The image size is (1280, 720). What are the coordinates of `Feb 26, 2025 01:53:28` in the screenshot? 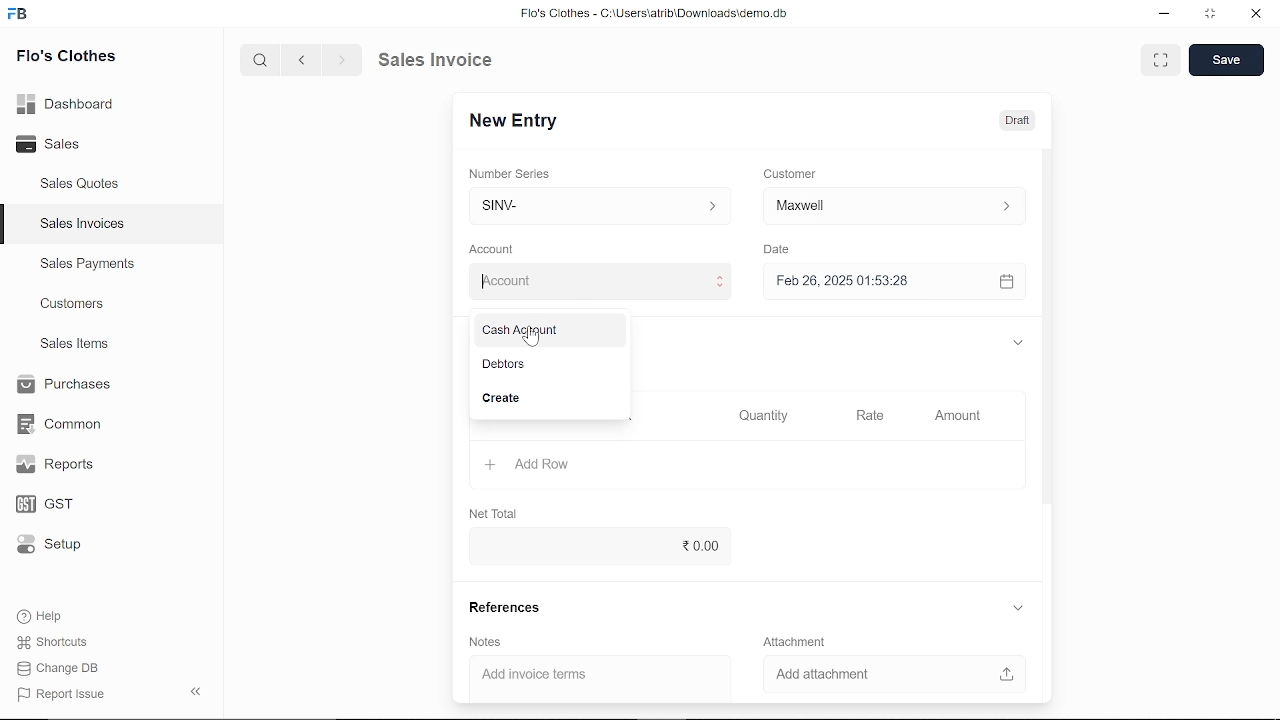 It's located at (870, 282).